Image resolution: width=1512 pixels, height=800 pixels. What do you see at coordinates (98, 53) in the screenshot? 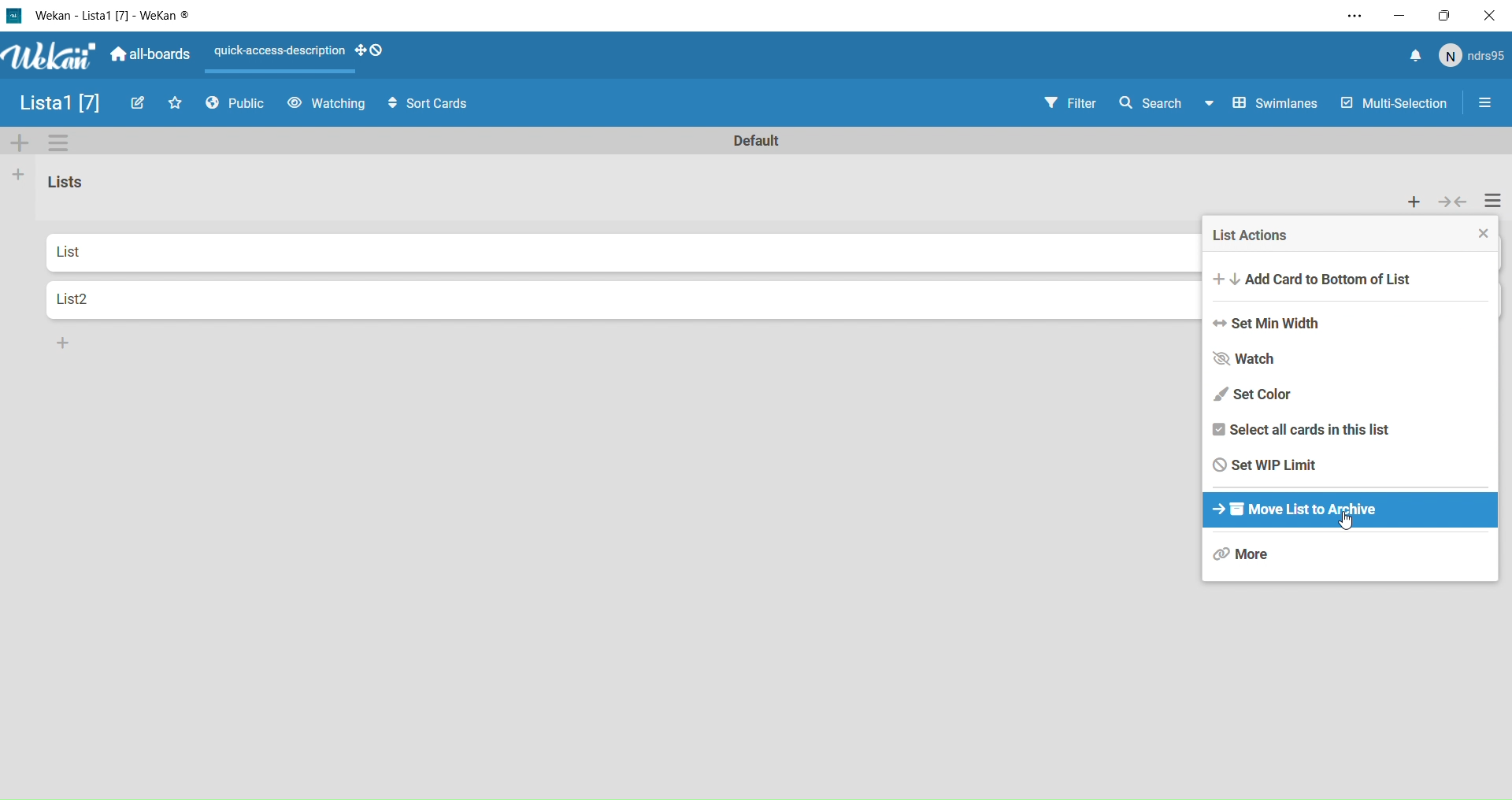
I see `Wekan` at bounding box center [98, 53].